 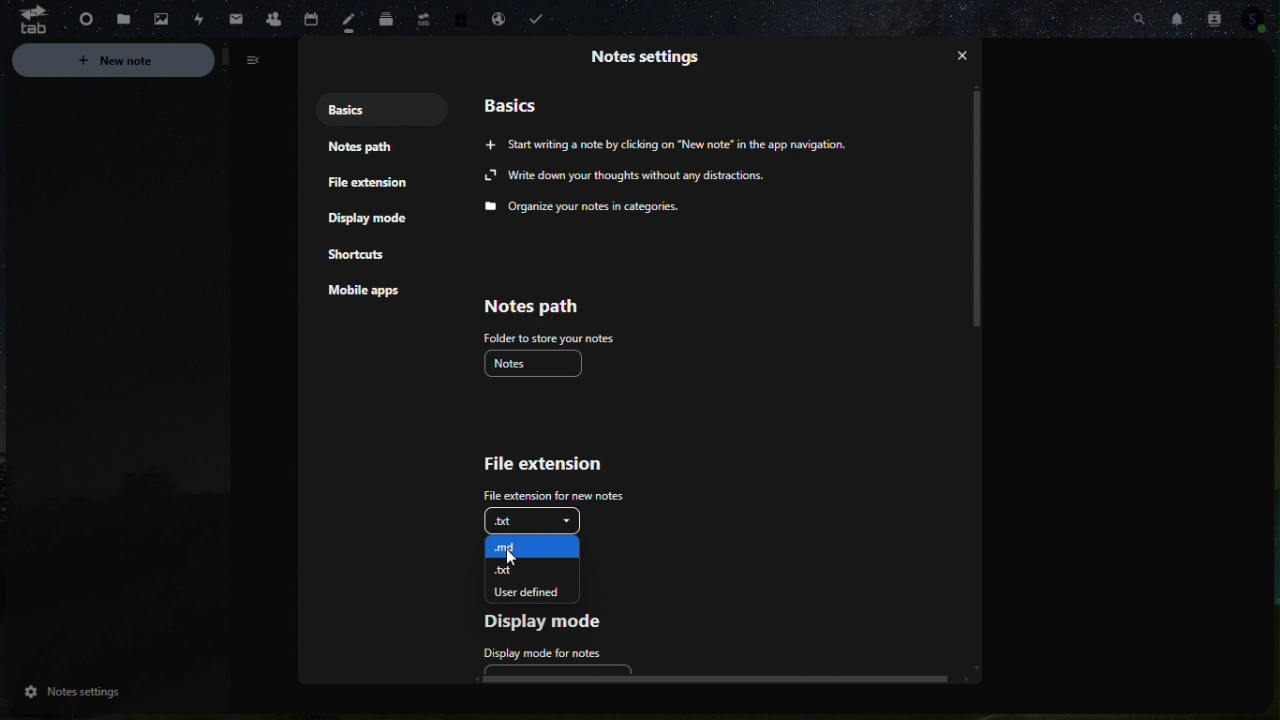 I want to click on .txt, so click(x=533, y=519).